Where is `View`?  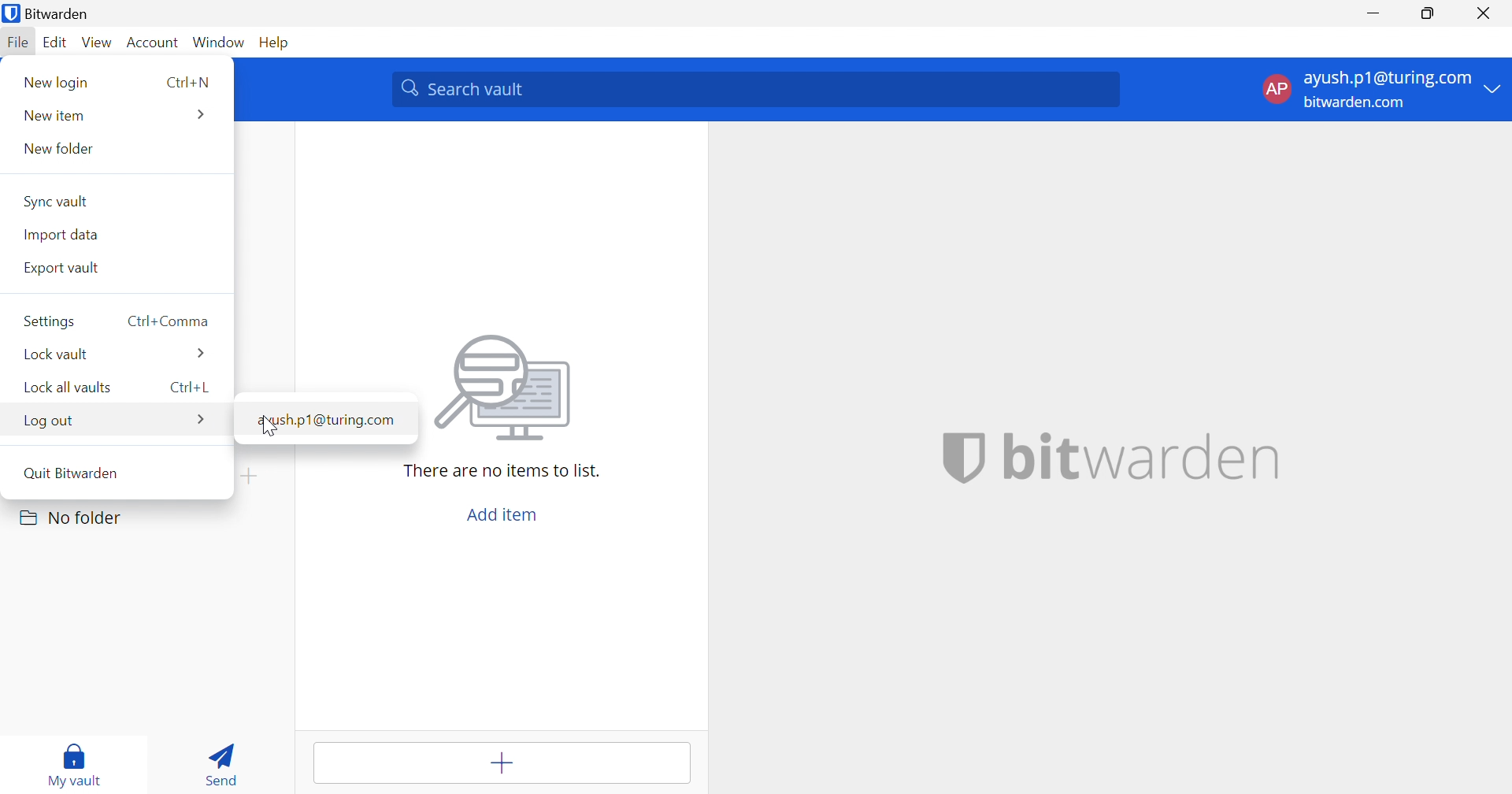
View is located at coordinates (98, 43).